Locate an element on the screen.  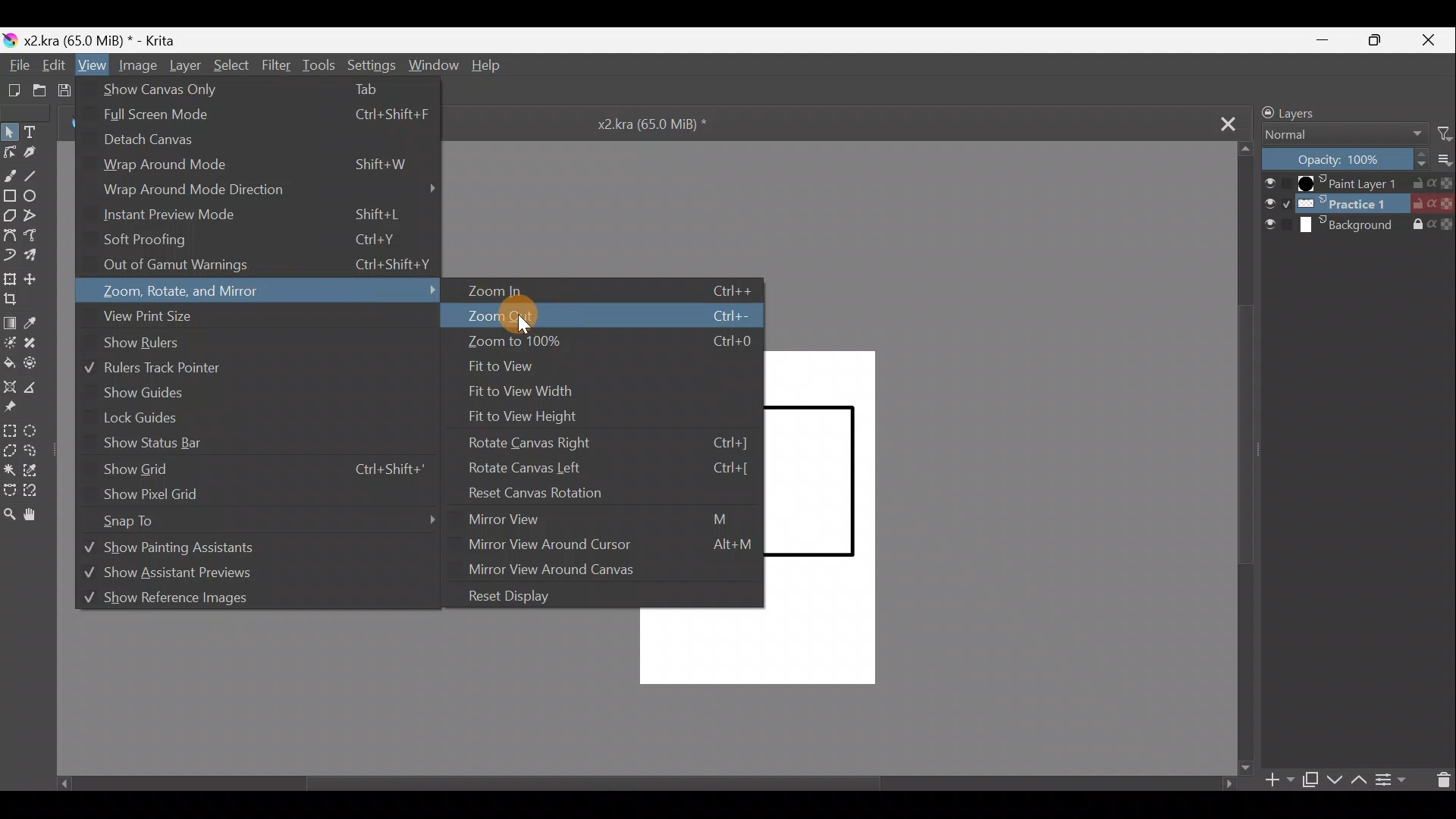
Contiguous selection tool is located at coordinates (12, 468).